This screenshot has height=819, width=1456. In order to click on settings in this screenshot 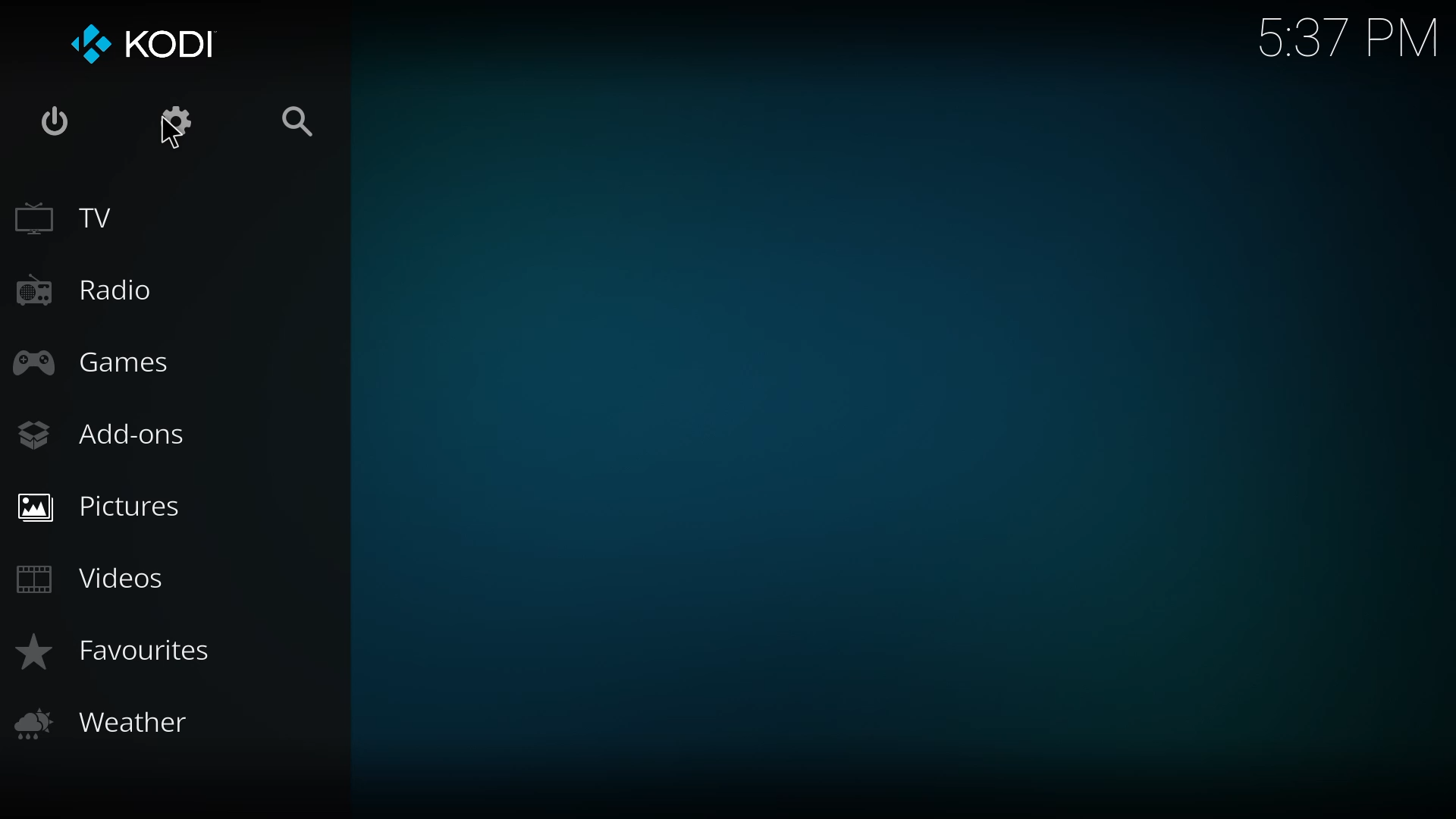, I will do `click(177, 118)`.